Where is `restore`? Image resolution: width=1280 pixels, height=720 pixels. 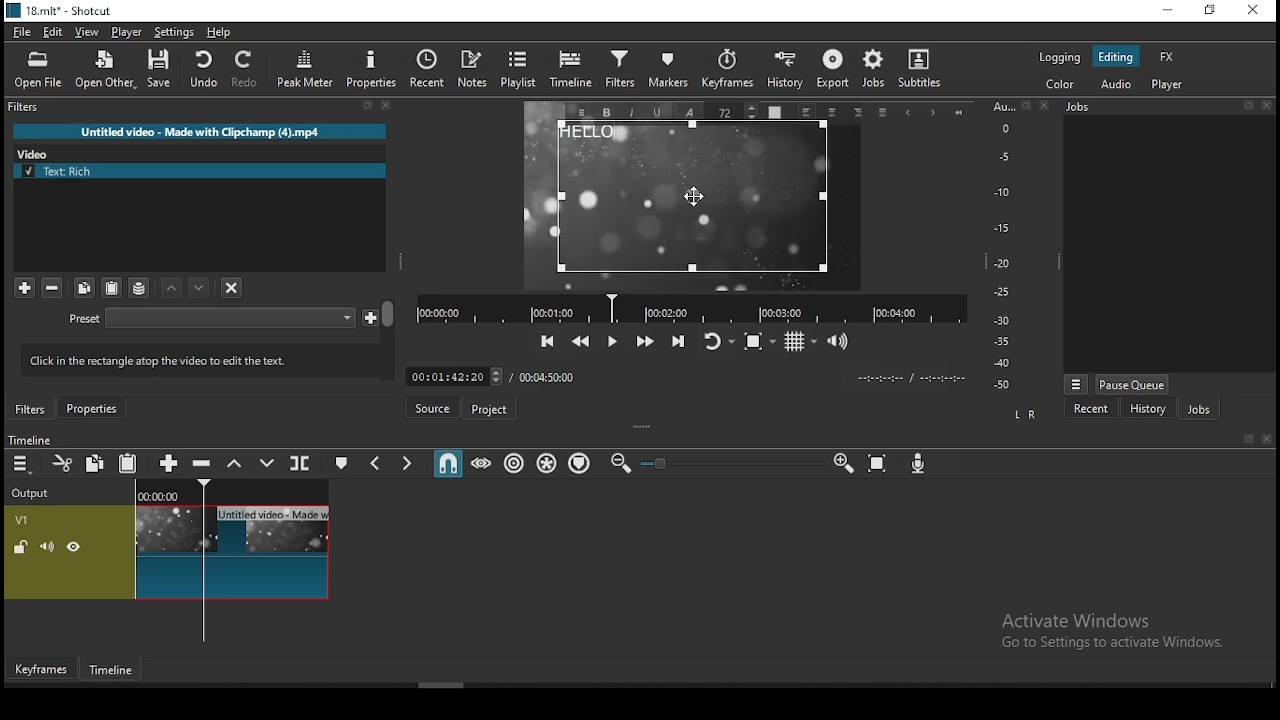
restore is located at coordinates (1212, 9).